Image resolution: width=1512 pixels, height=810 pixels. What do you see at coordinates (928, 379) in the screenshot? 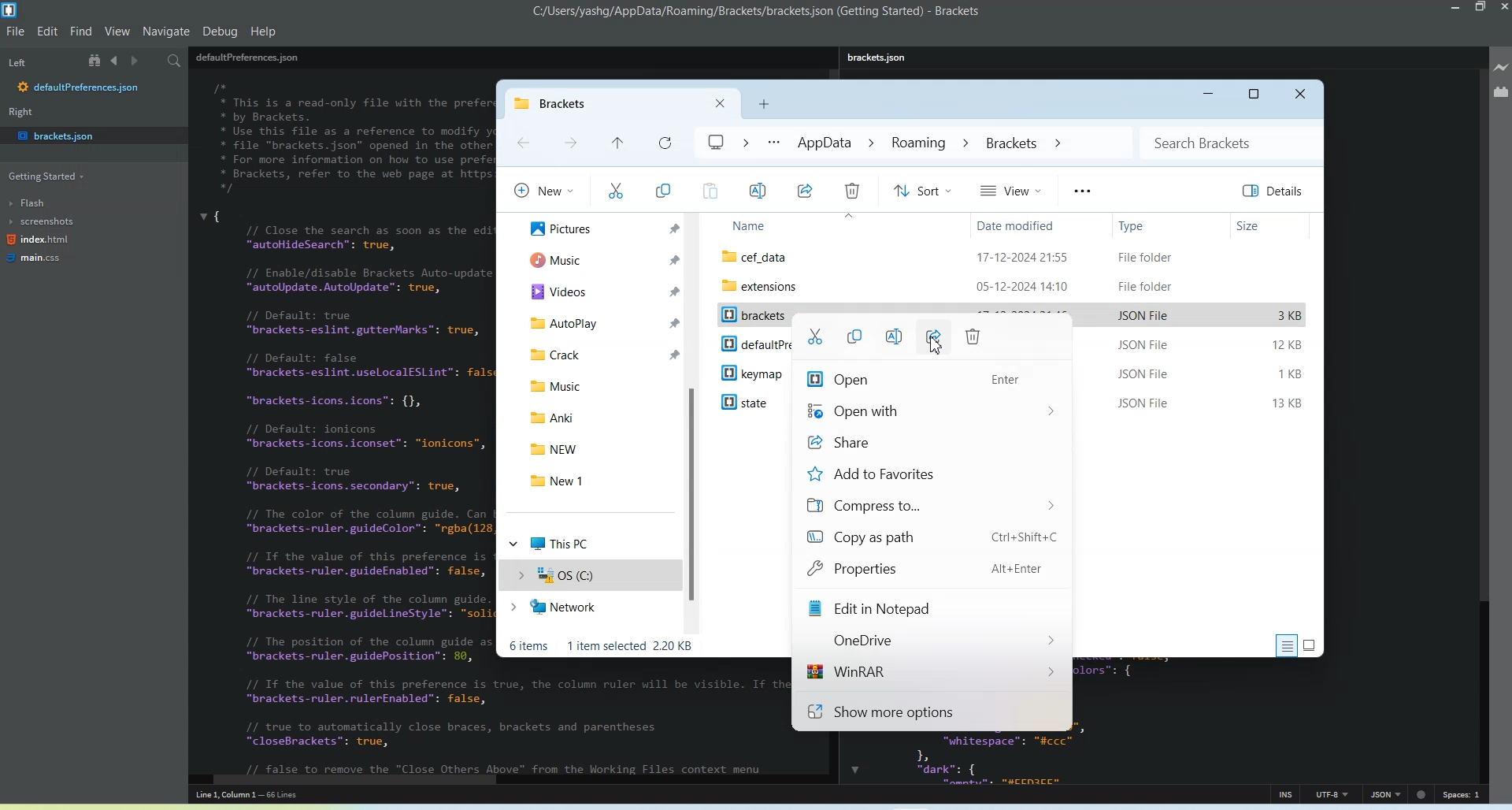
I see `Open` at bounding box center [928, 379].